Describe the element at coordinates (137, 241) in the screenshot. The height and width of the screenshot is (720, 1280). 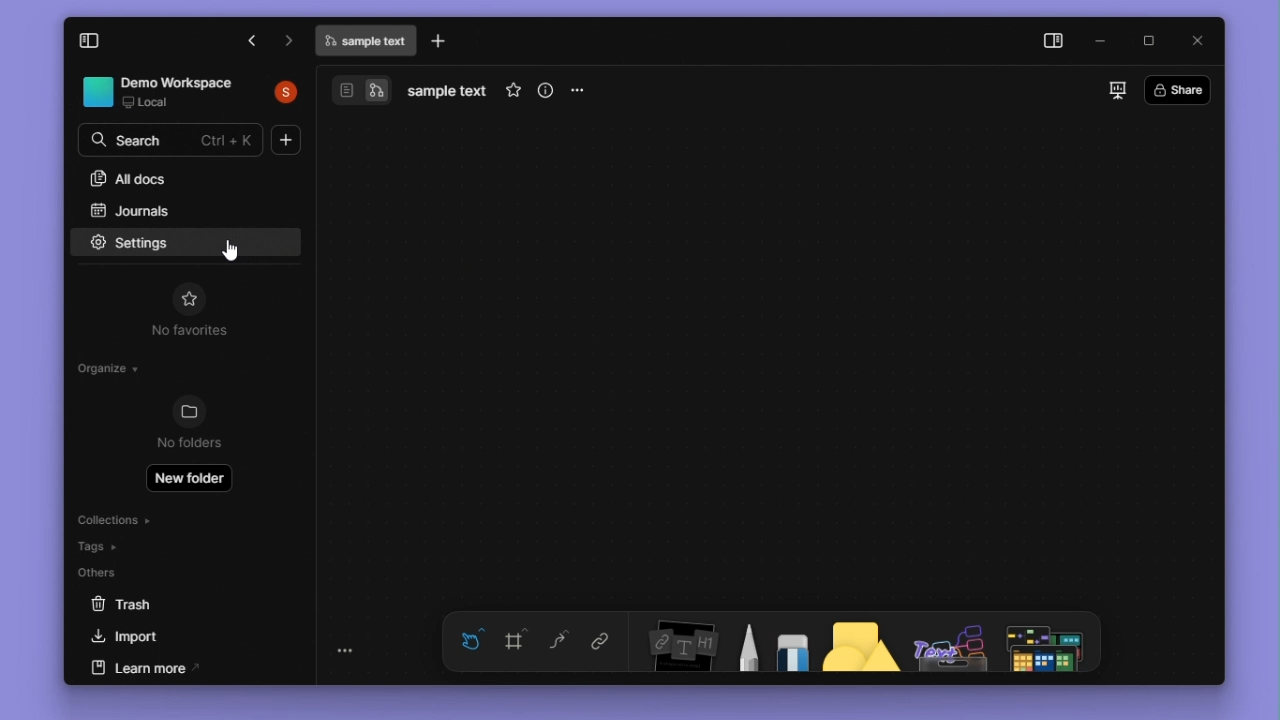
I see `settings` at that location.